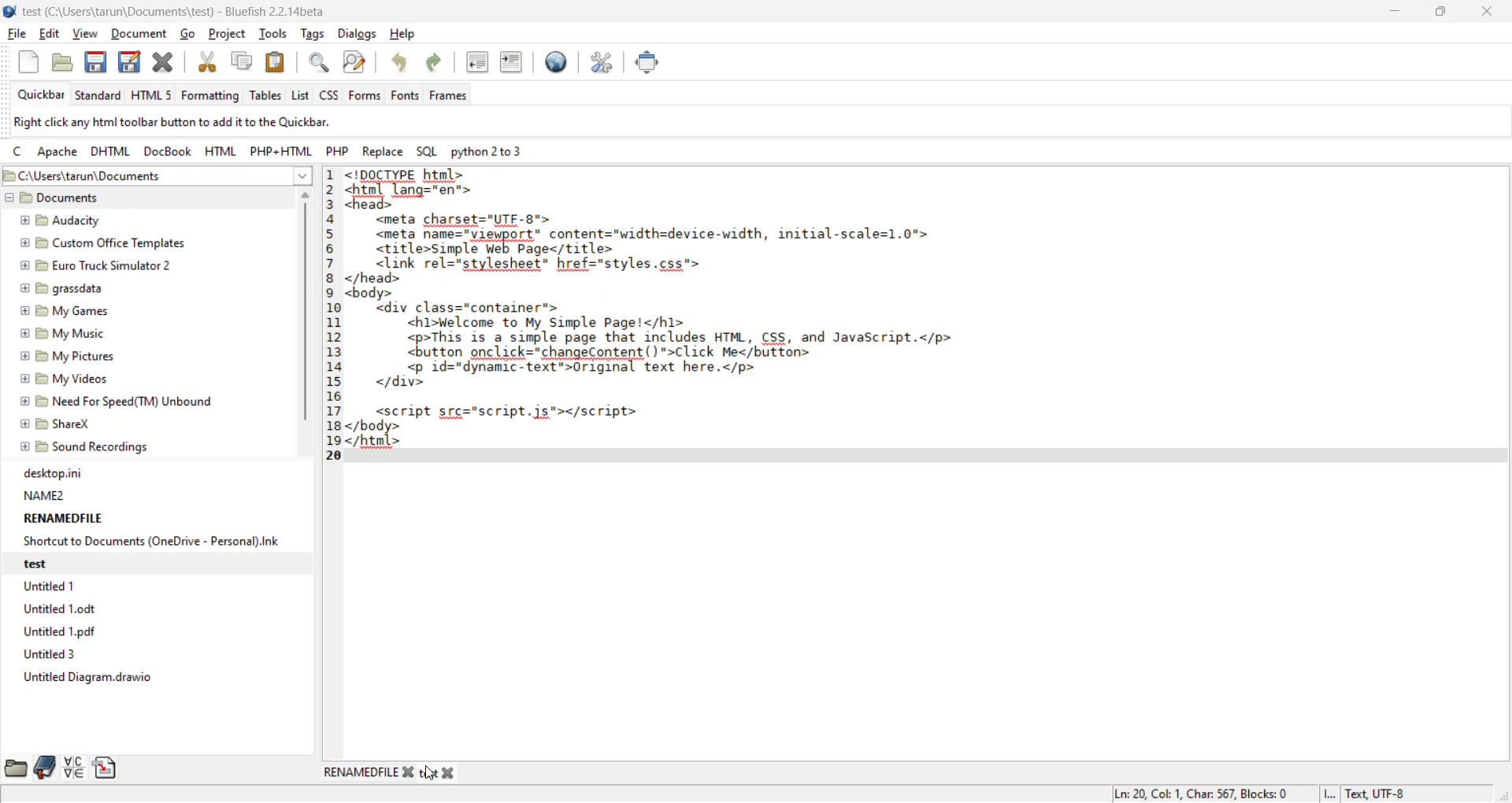  I want to click on test, so click(428, 772).